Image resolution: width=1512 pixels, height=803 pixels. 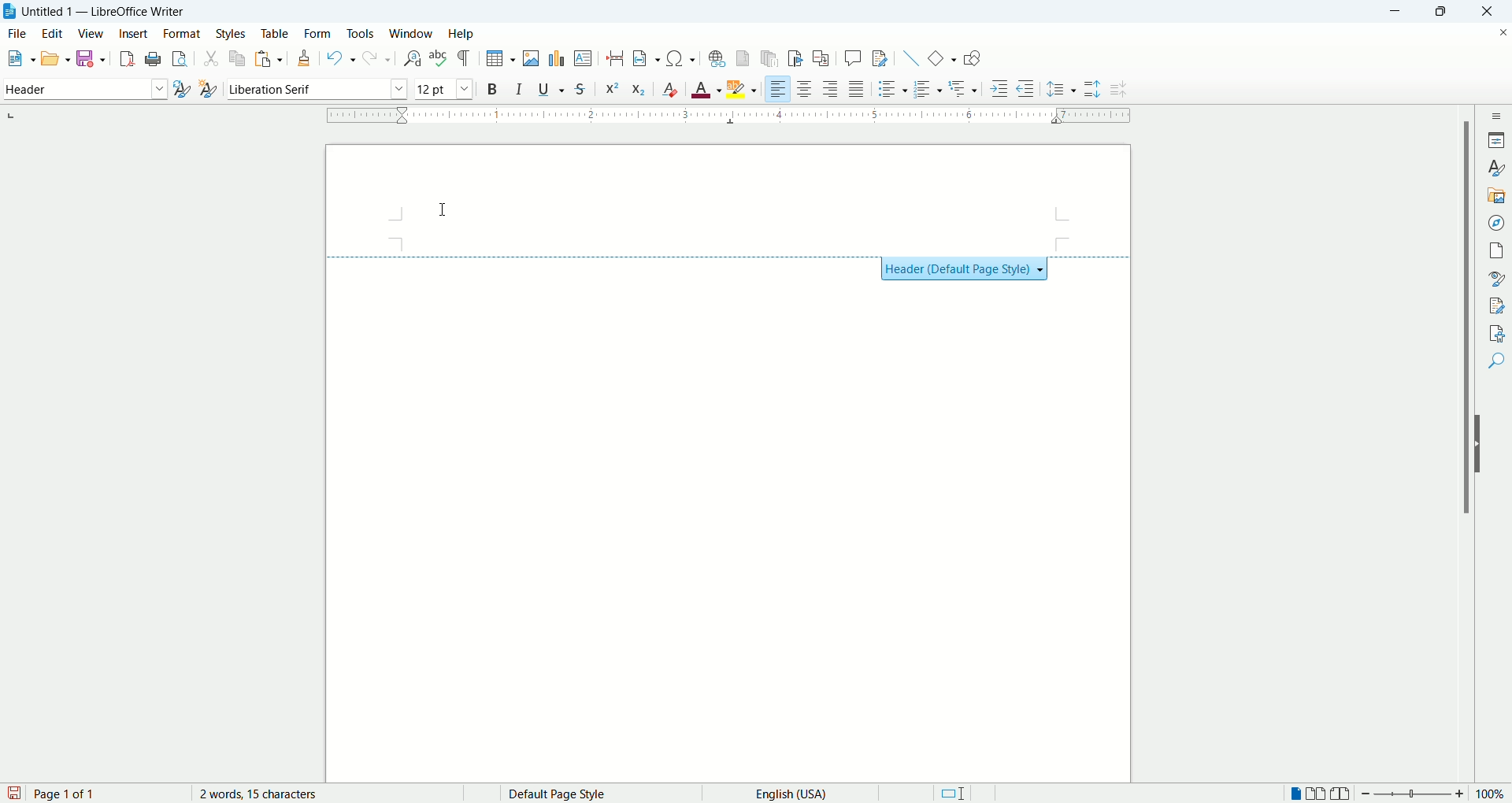 What do you see at coordinates (1462, 444) in the screenshot?
I see `vertical scroll bar` at bounding box center [1462, 444].